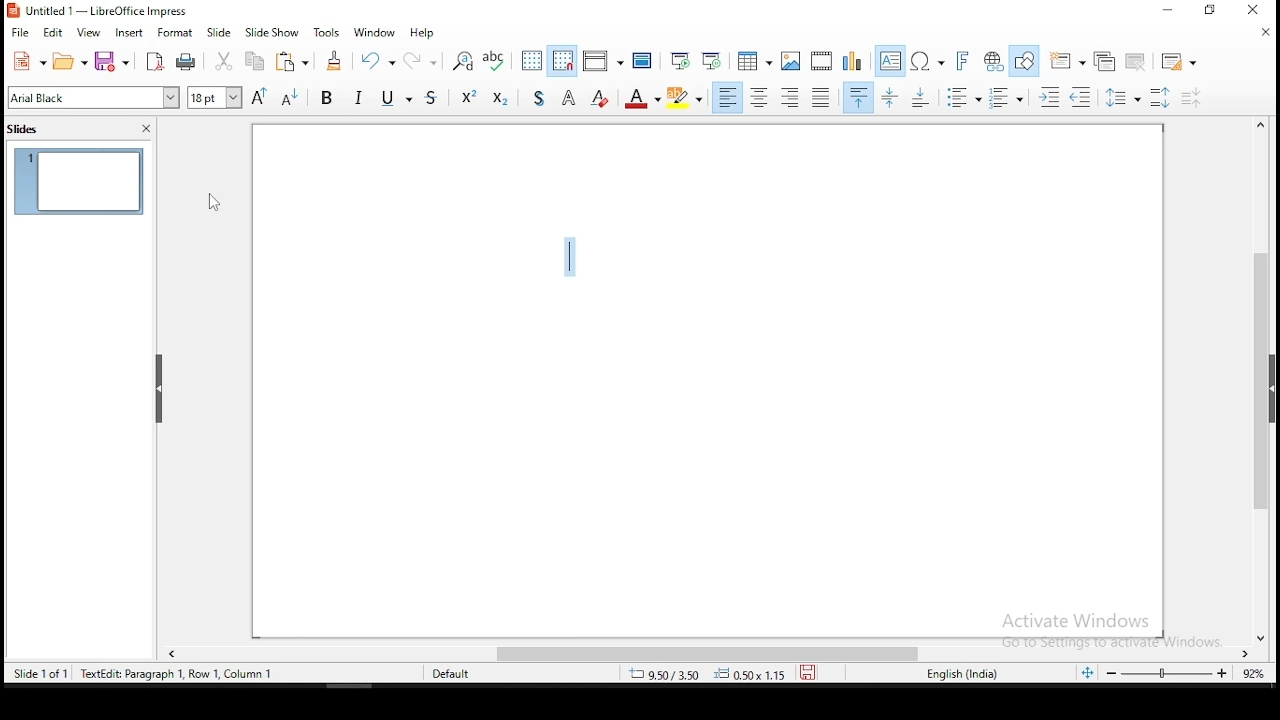 This screenshot has height=720, width=1280. What do you see at coordinates (570, 256) in the screenshot?
I see `Text Cursor` at bounding box center [570, 256].